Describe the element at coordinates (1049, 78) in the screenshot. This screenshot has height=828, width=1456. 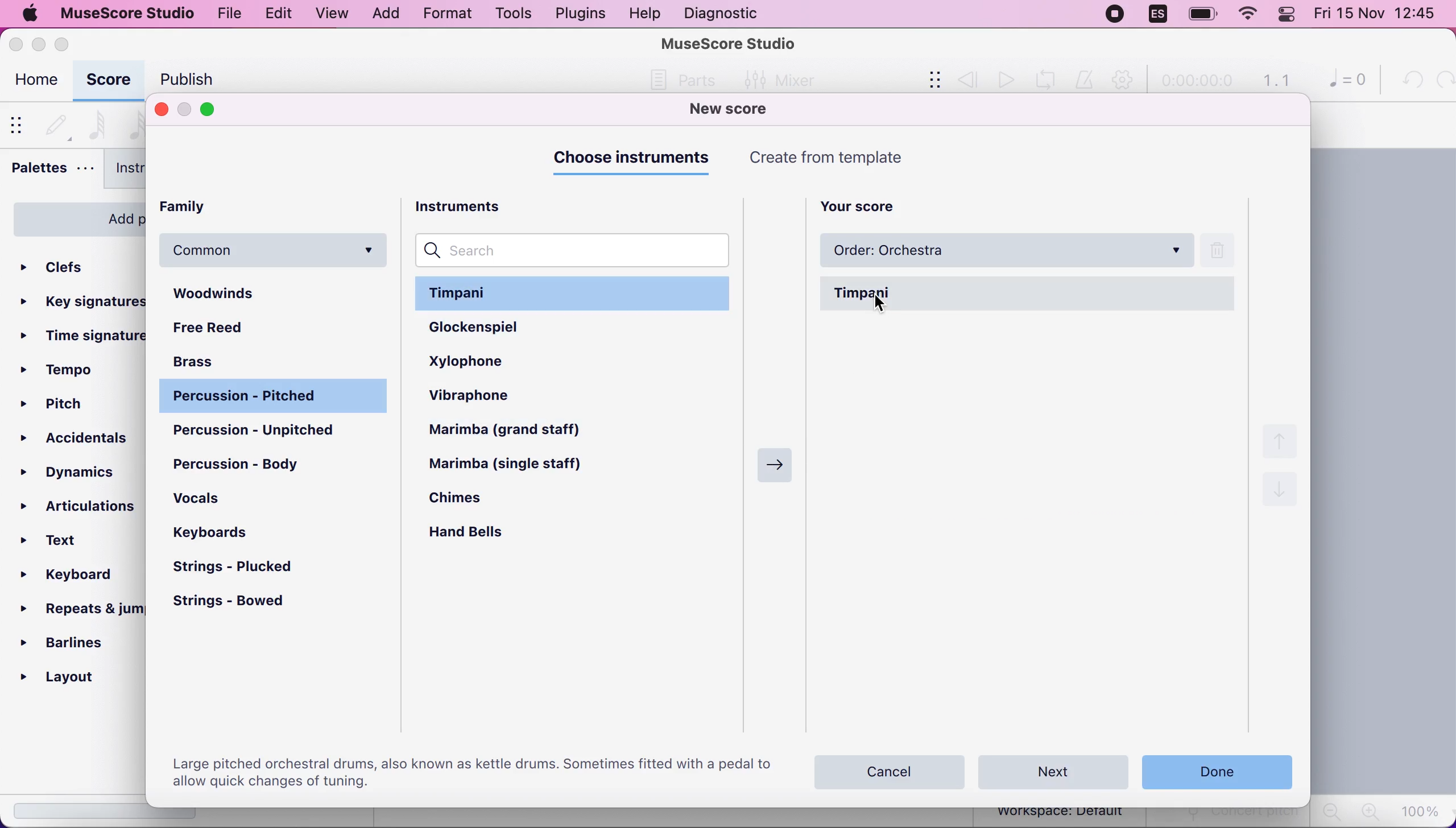
I see `playback loop` at that location.